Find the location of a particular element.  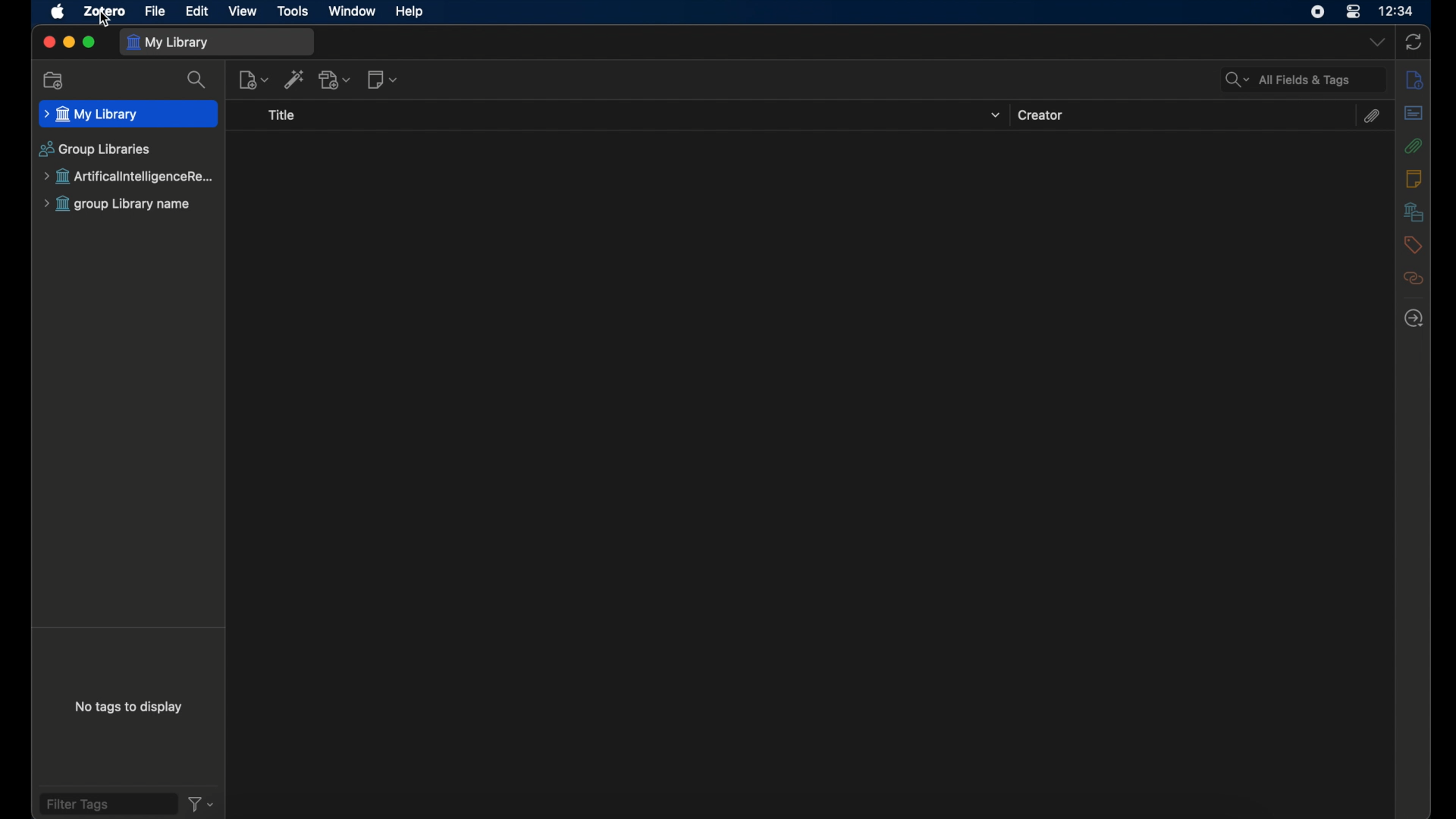

screen recorder is located at coordinates (1314, 13).